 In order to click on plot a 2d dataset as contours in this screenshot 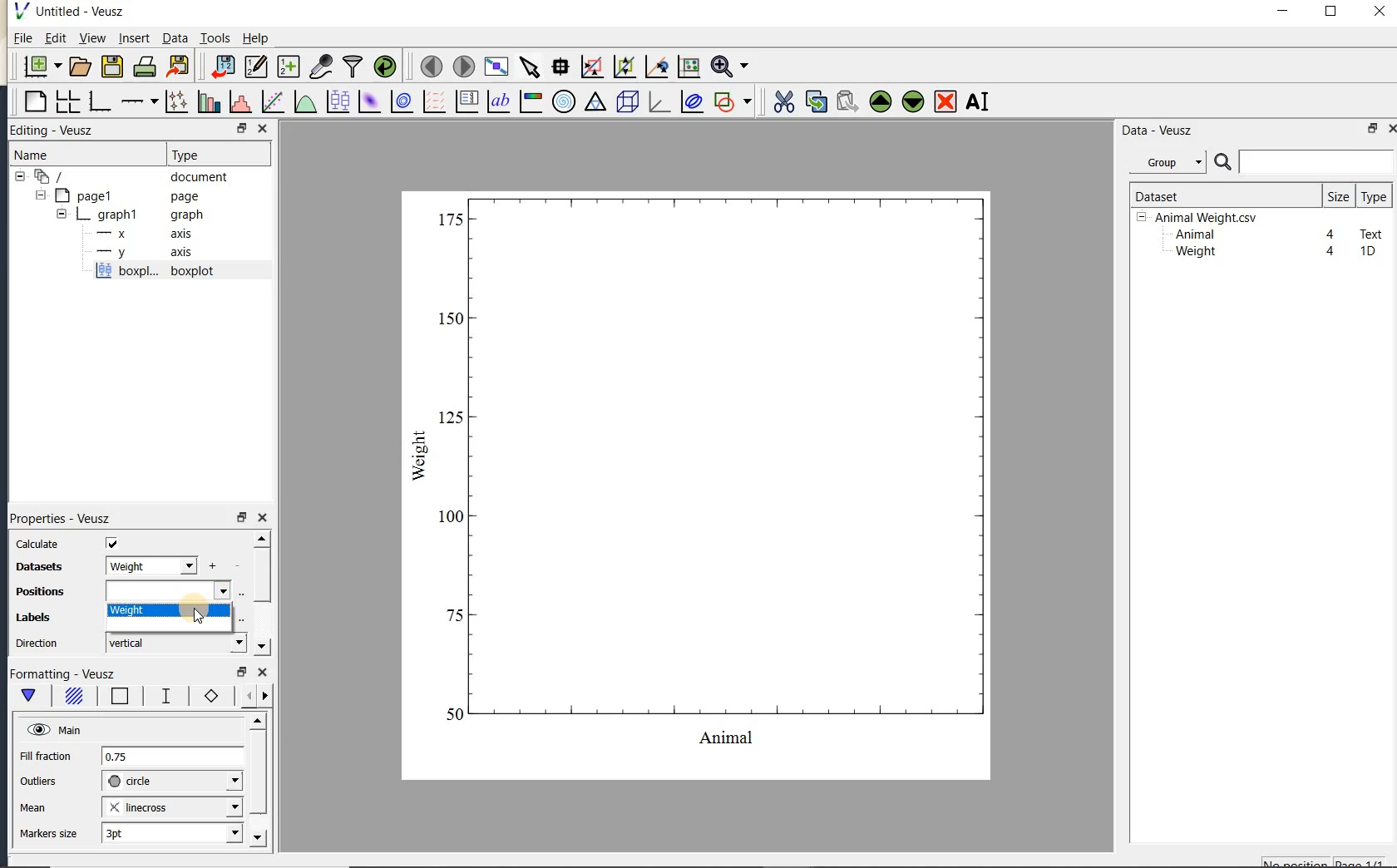, I will do `click(400, 101)`.